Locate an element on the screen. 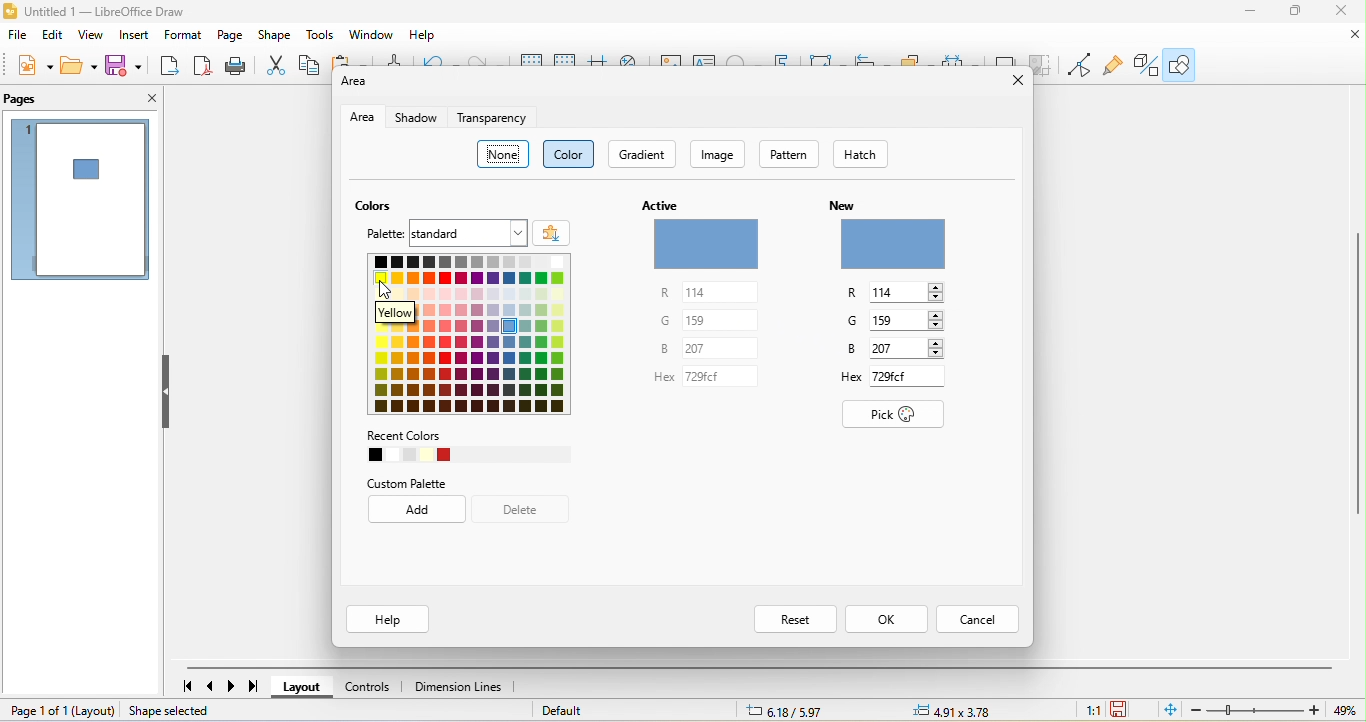  1:1 is located at coordinates (1091, 711).